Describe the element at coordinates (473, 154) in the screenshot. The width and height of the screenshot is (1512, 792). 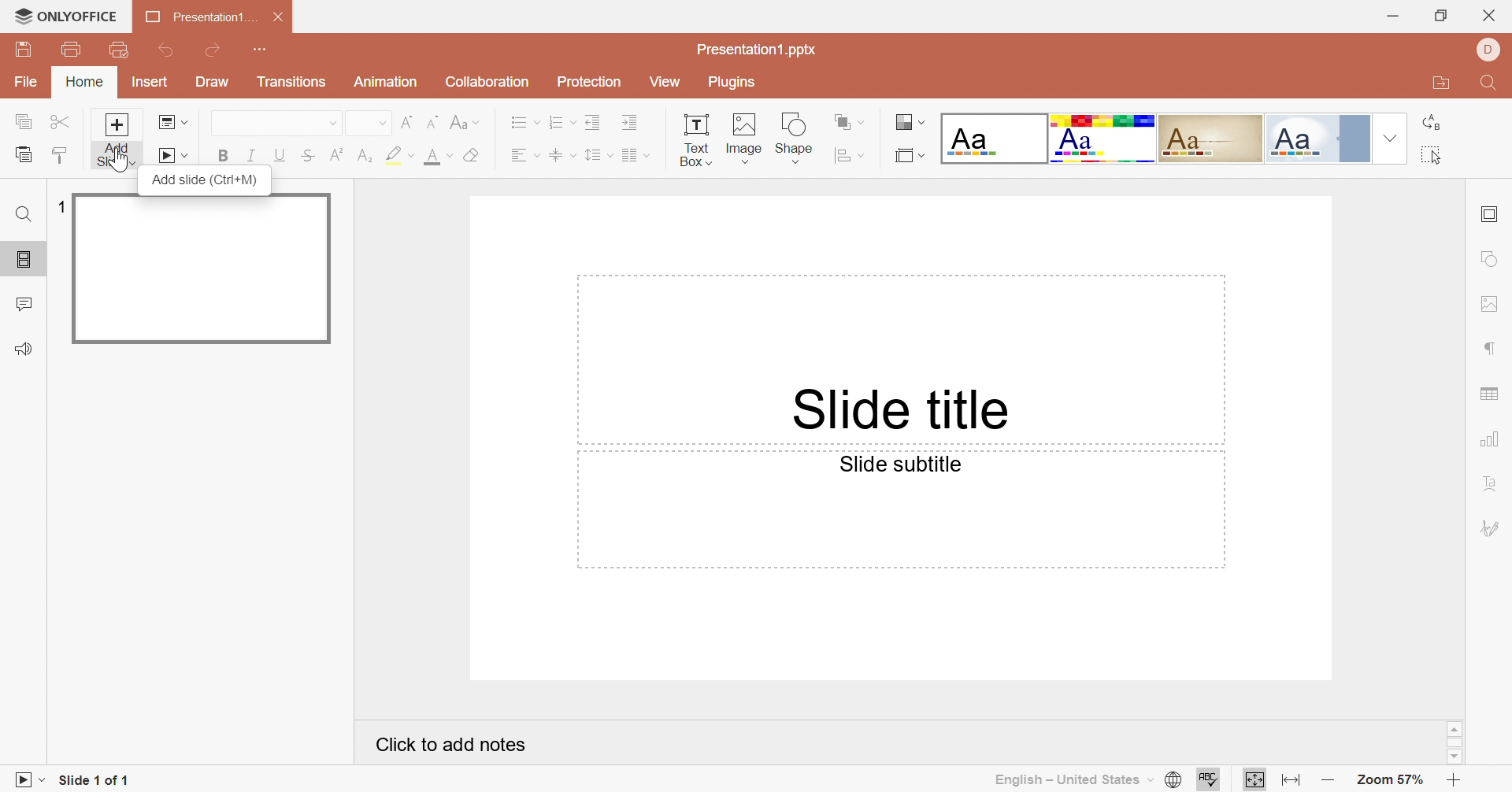
I see `Clear Style` at that location.